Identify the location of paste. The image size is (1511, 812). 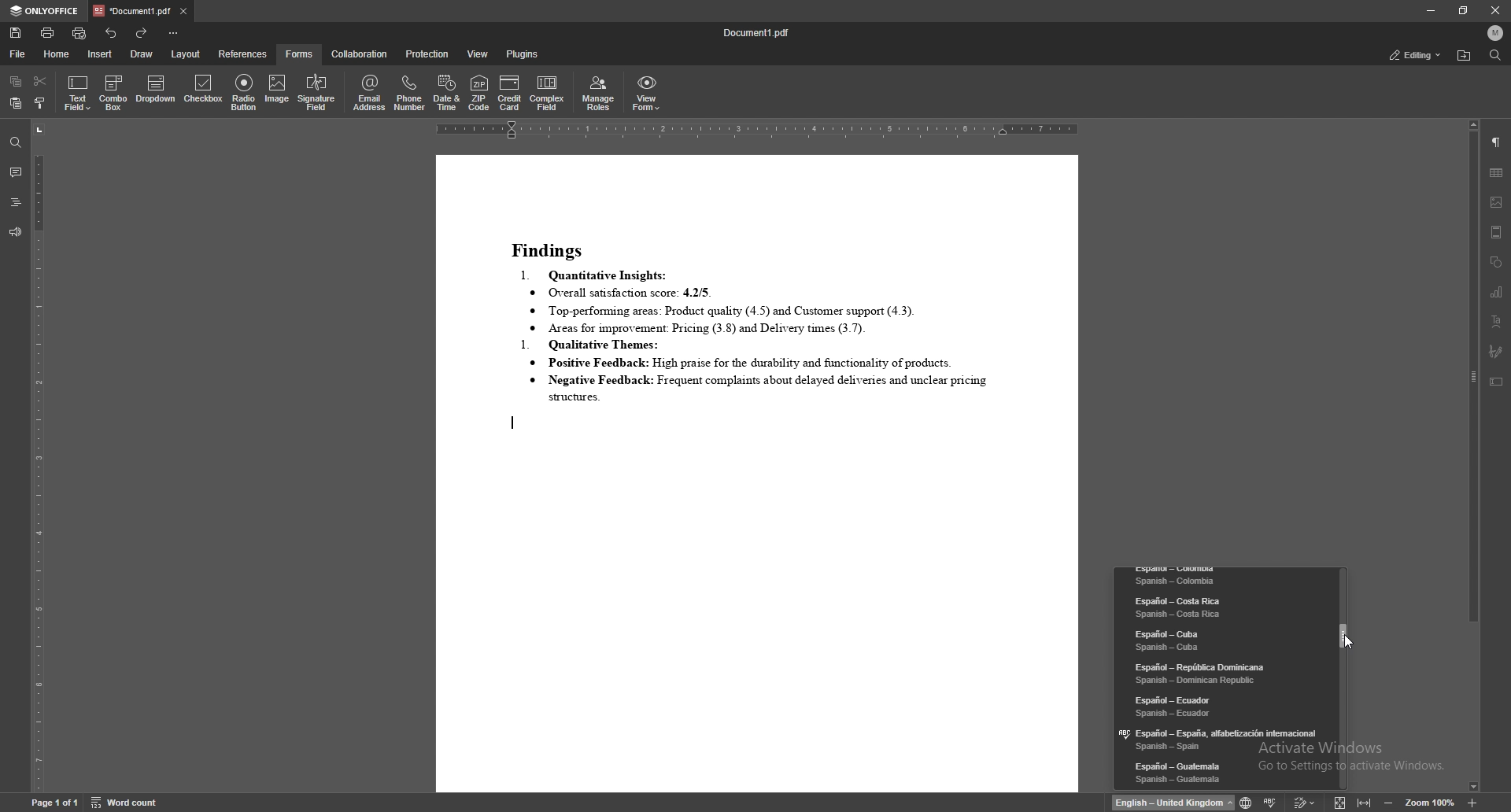
(16, 103).